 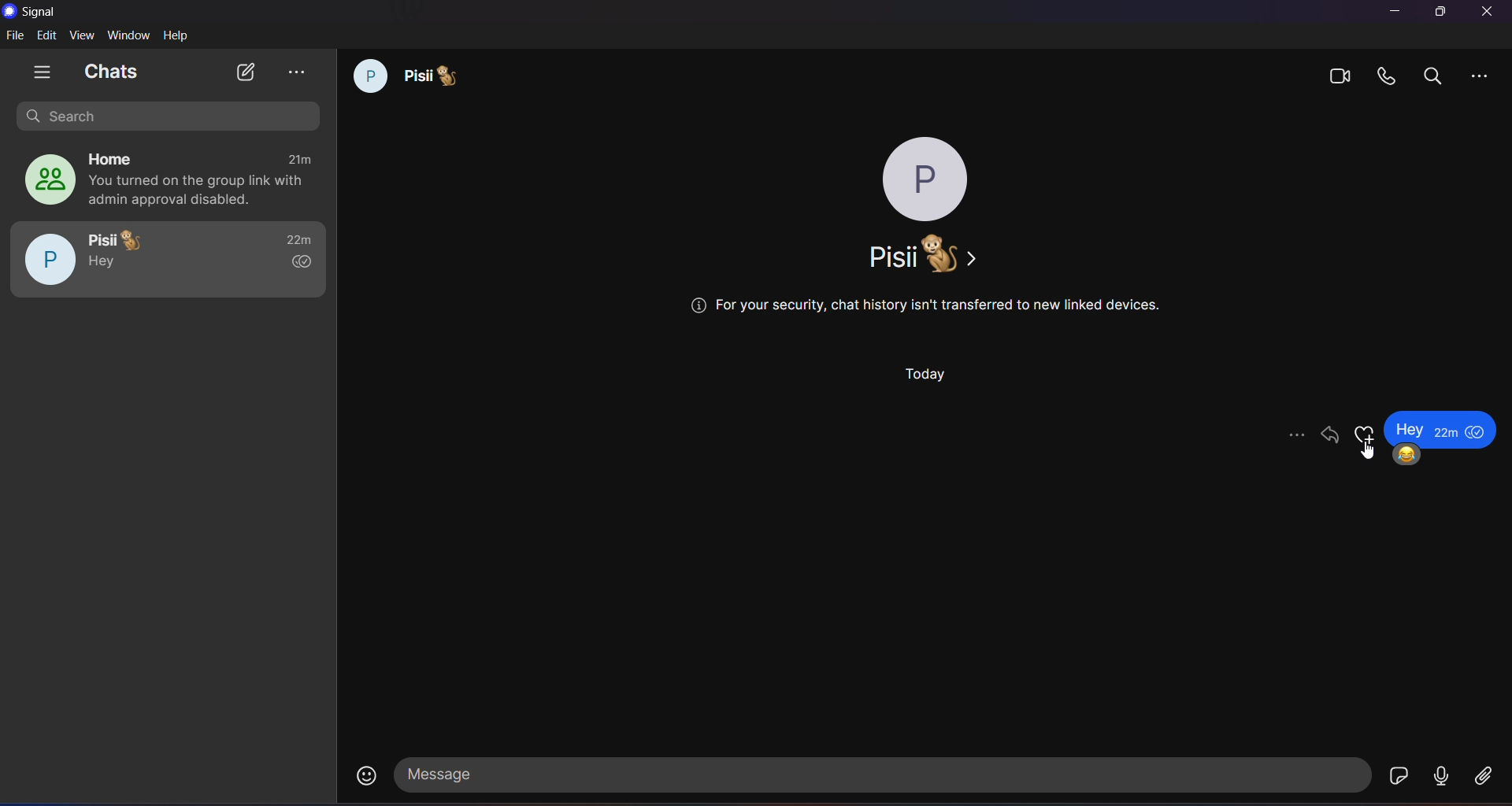 What do you see at coordinates (16, 36) in the screenshot?
I see `file` at bounding box center [16, 36].